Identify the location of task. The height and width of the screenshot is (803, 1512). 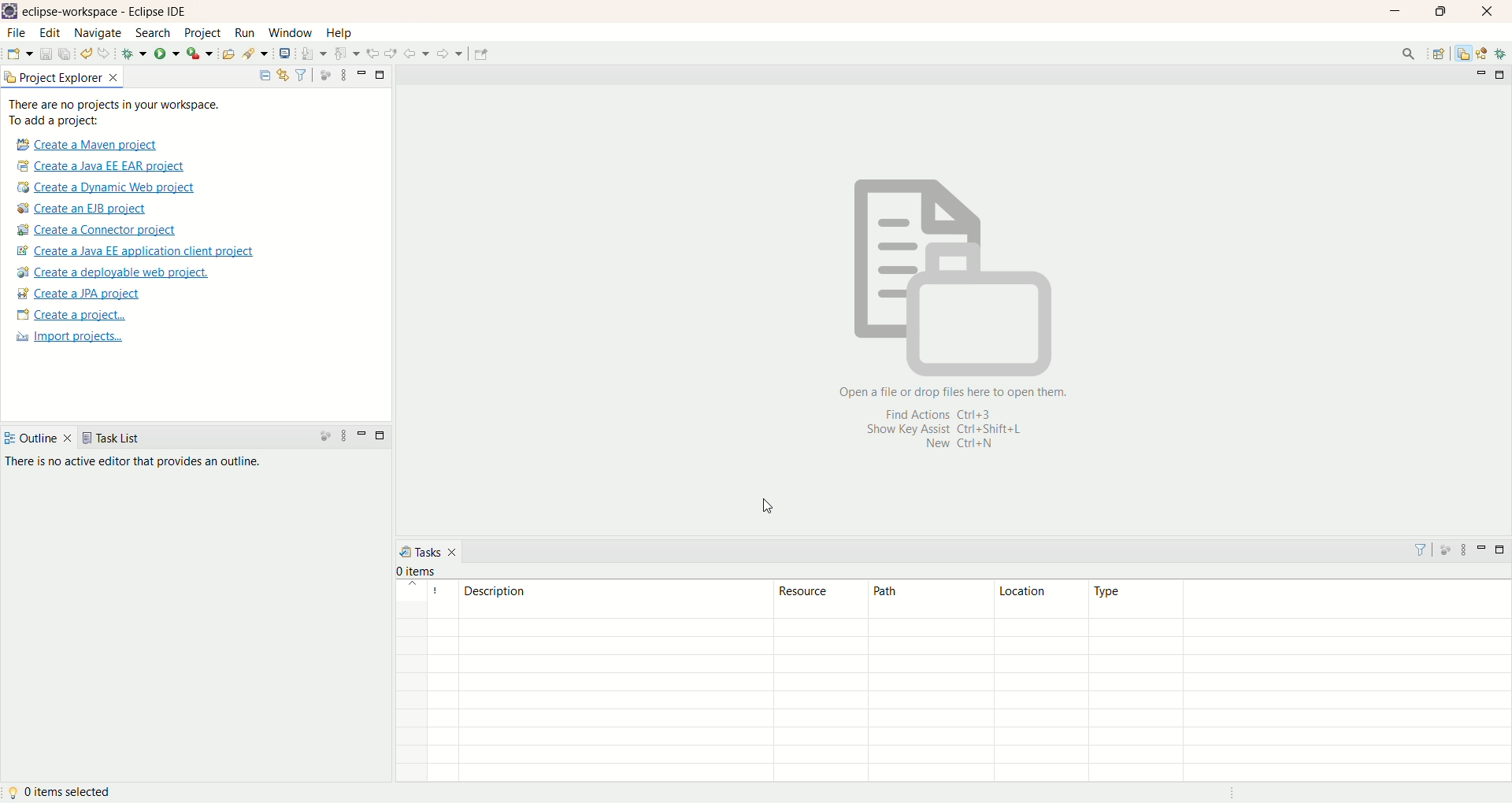
(1420, 551).